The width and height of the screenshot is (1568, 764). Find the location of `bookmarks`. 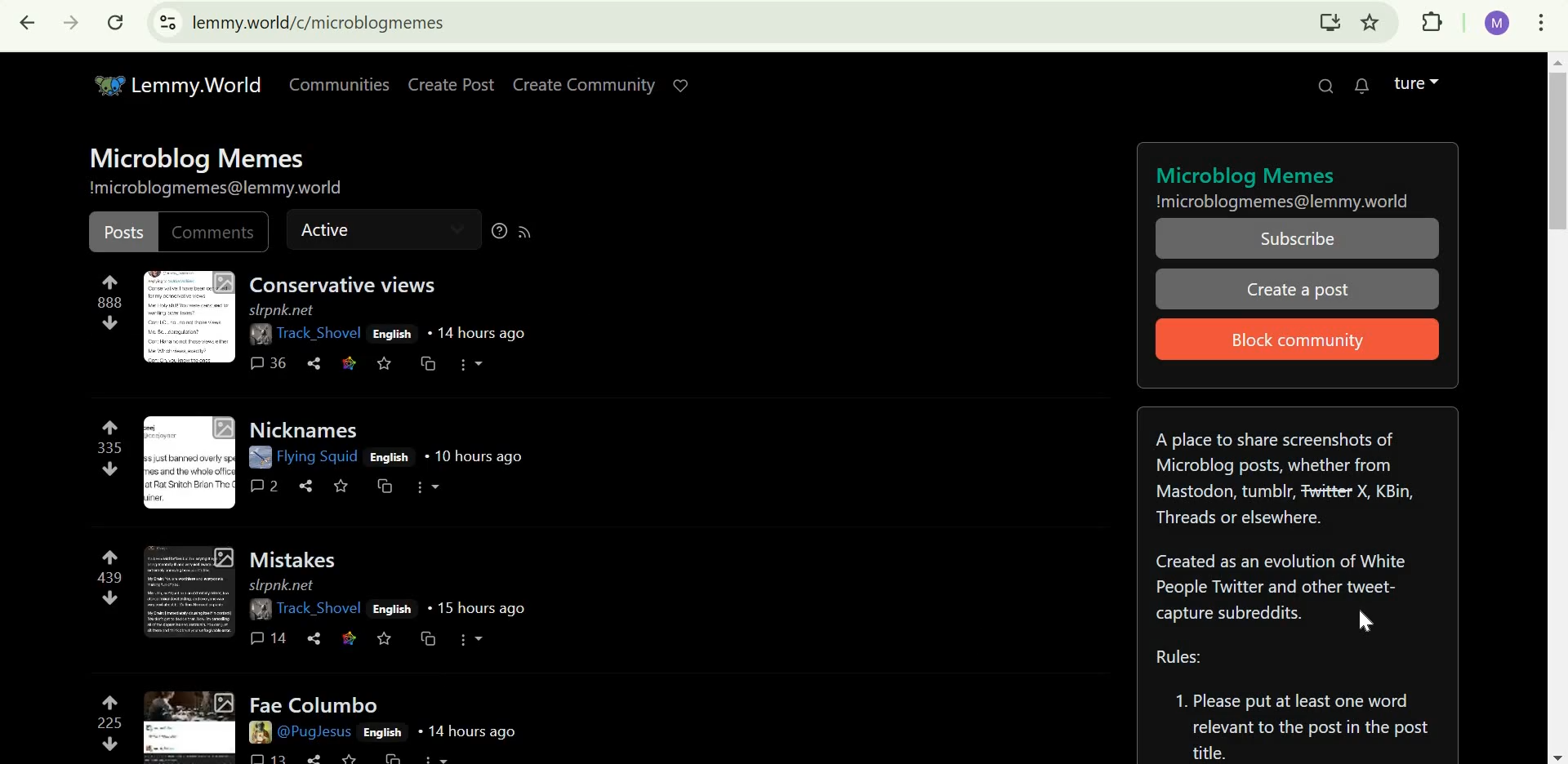

bookmarks is located at coordinates (1381, 24).